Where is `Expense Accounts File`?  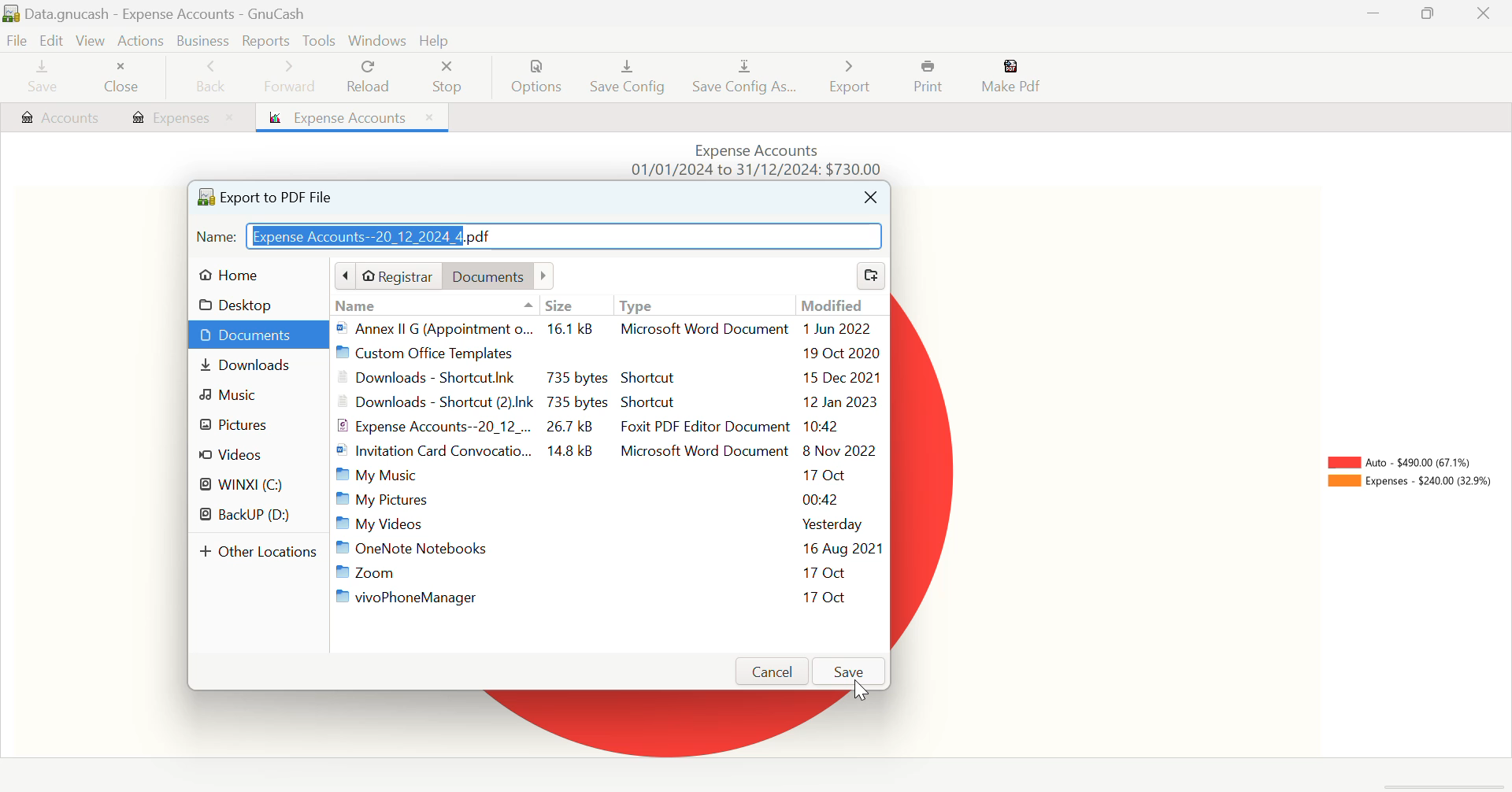
Expense Accounts File is located at coordinates (610, 427).